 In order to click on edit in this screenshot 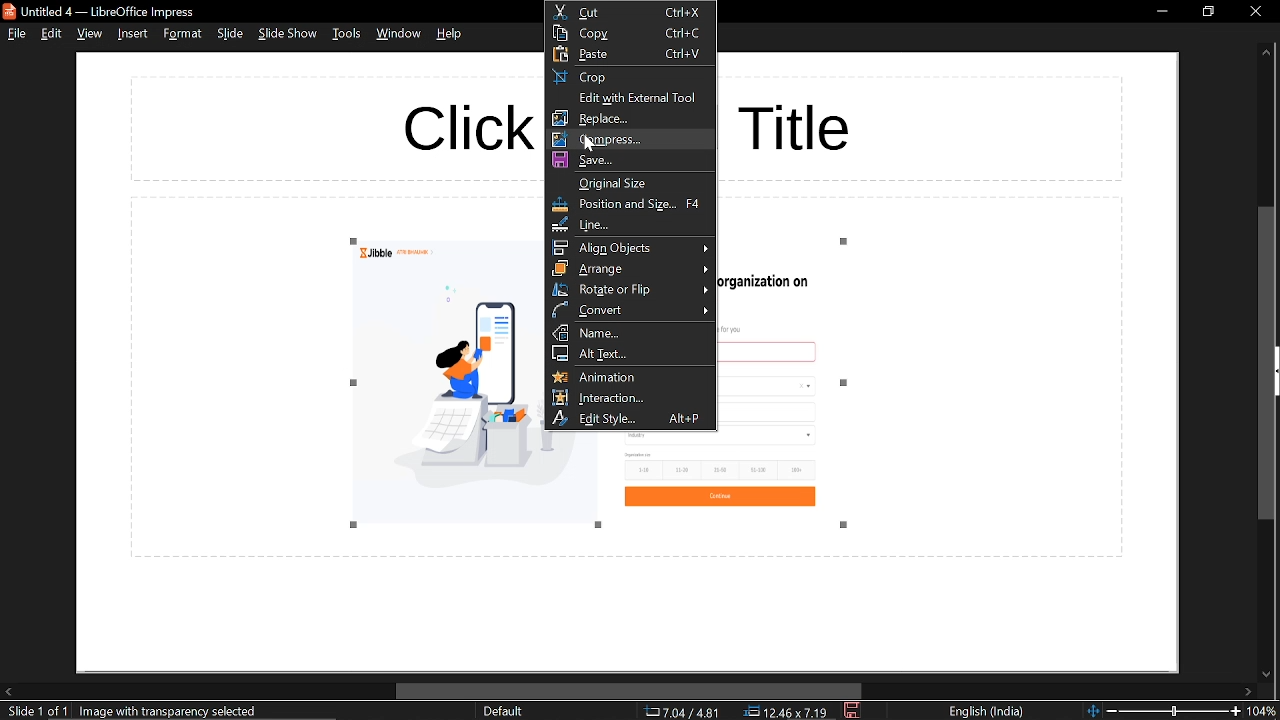, I will do `click(50, 34)`.